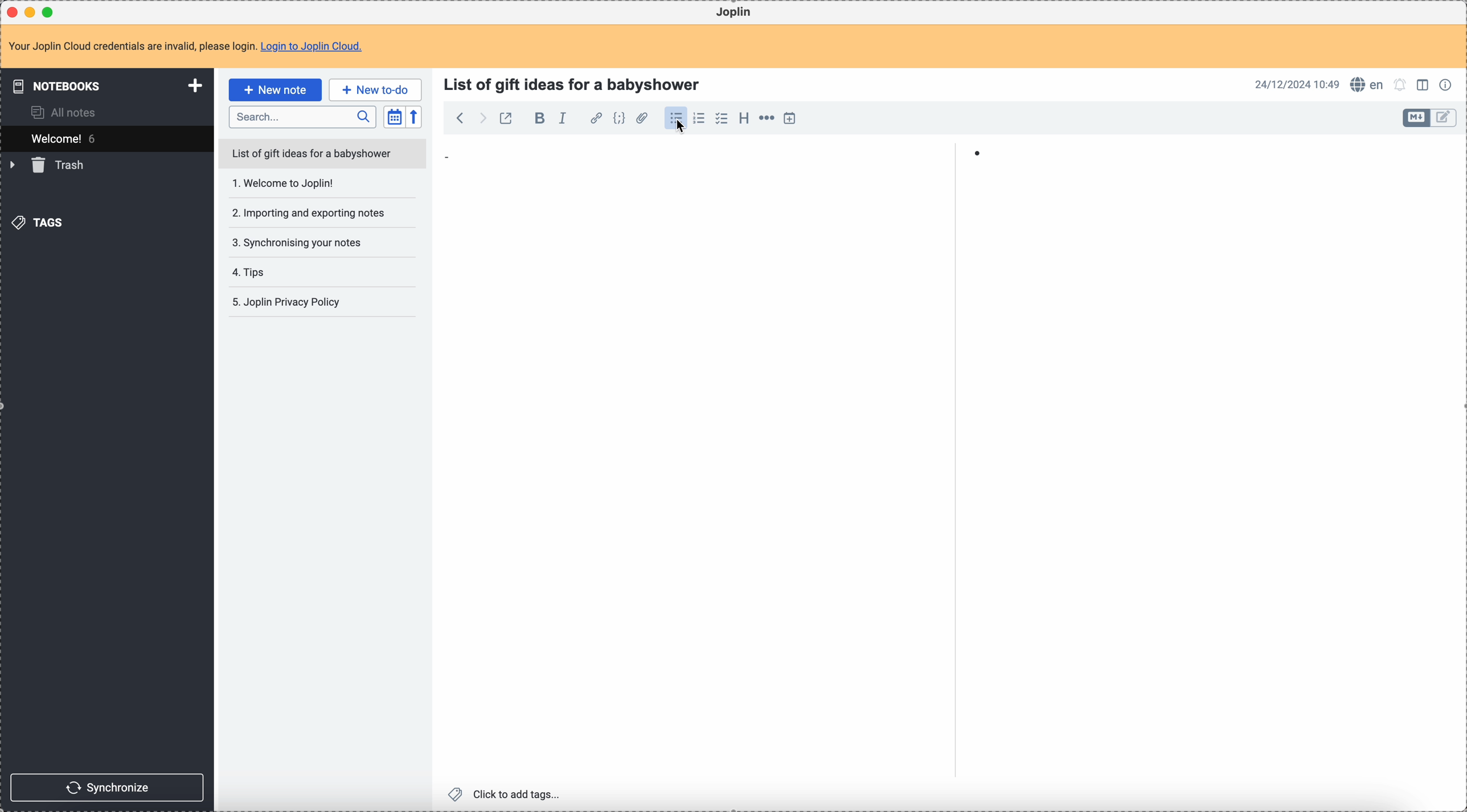 The width and height of the screenshot is (1467, 812). I want to click on reverse sort order, so click(413, 118).